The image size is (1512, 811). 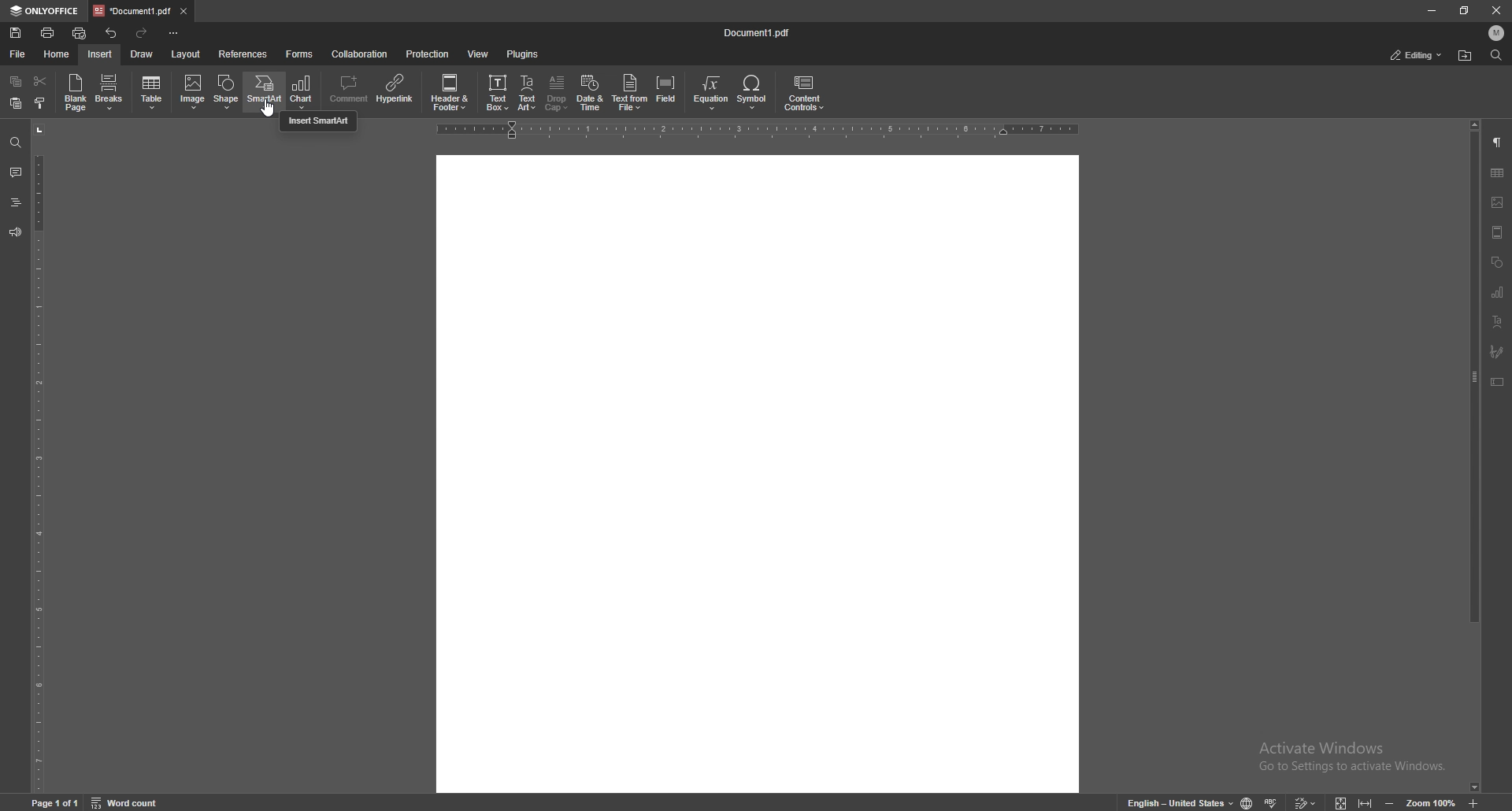 I want to click on content controls, so click(x=803, y=93).